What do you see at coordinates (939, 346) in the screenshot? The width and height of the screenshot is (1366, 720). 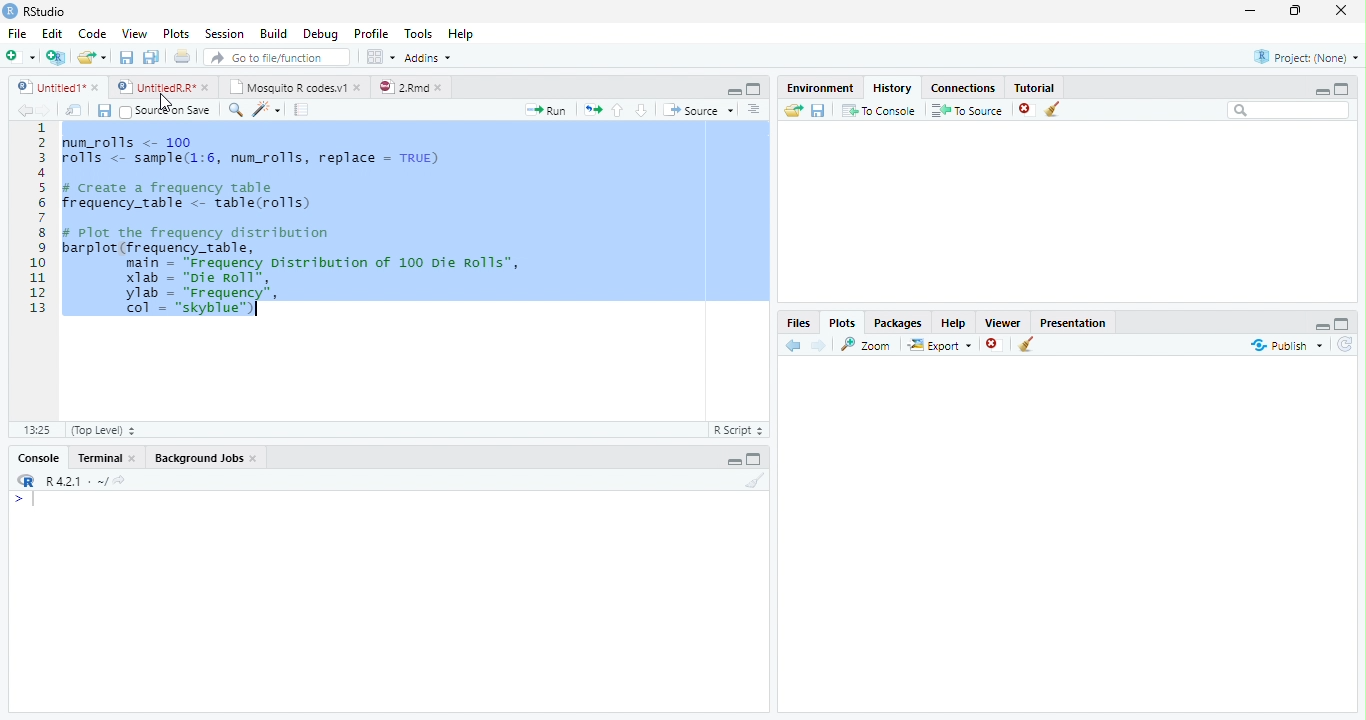 I see `Export` at bounding box center [939, 346].